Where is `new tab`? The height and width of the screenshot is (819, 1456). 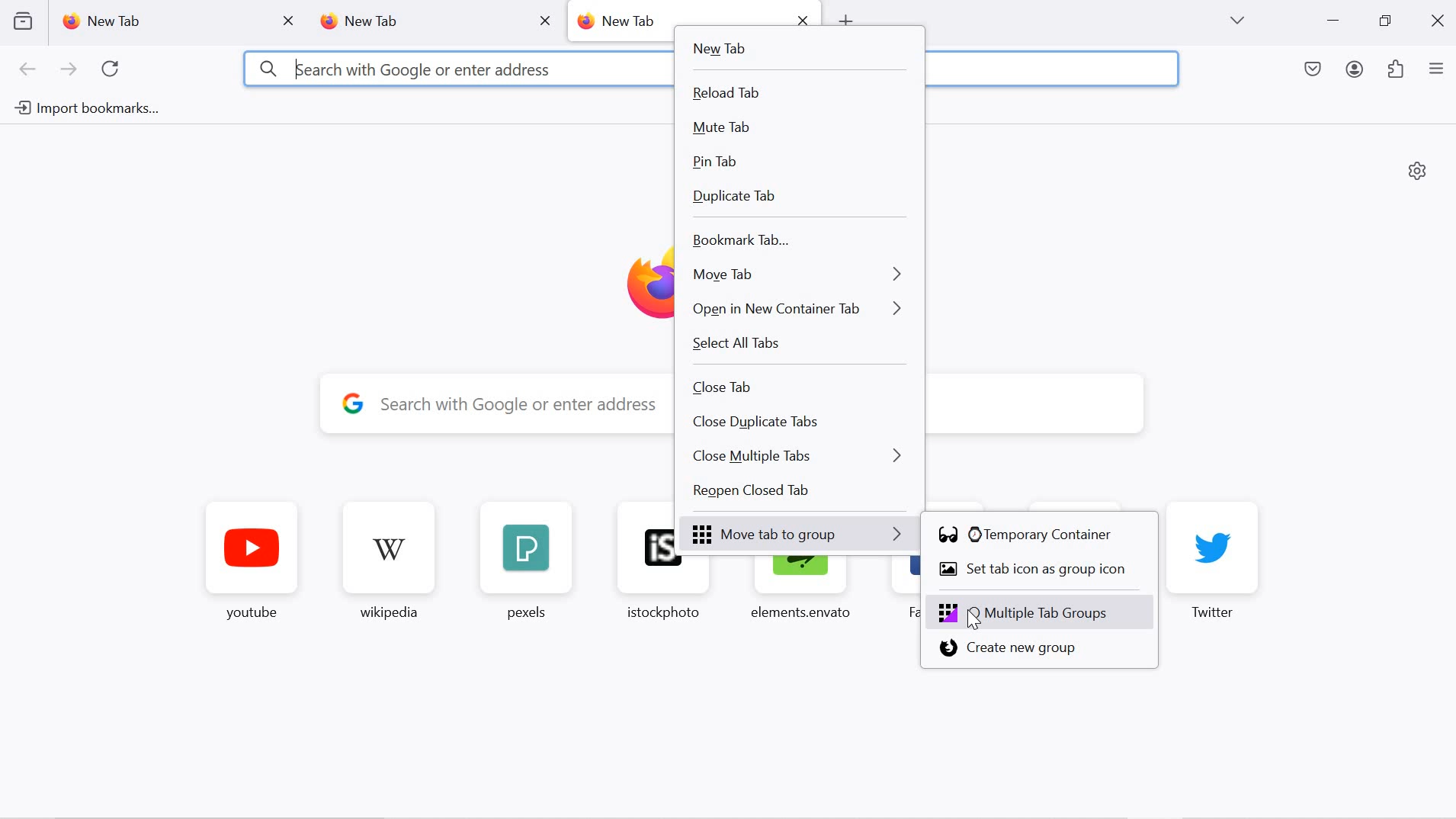
new tab is located at coordinates (159, 21).